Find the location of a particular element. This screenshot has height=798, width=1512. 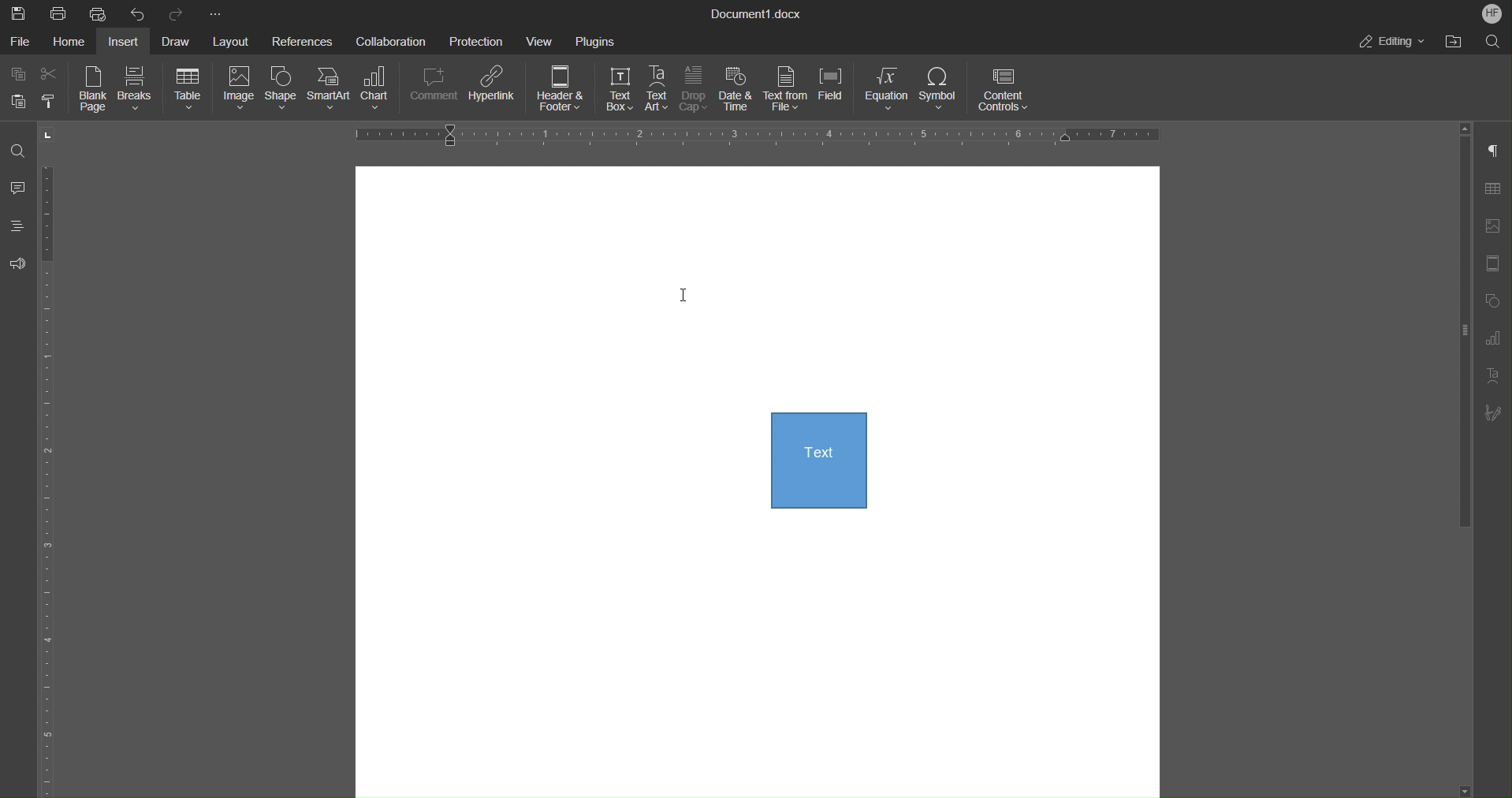

Draw is located at coordinates (180, 40).